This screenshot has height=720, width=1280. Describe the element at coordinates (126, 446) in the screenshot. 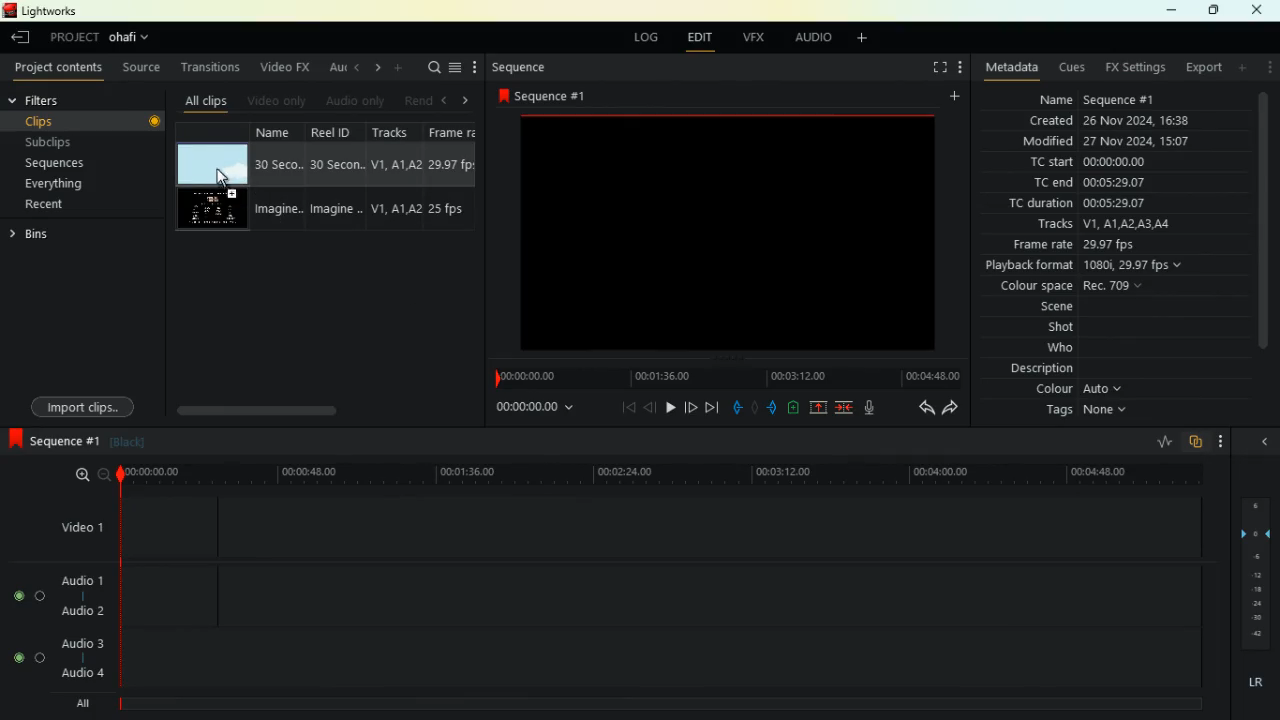

I see `black` at that location.